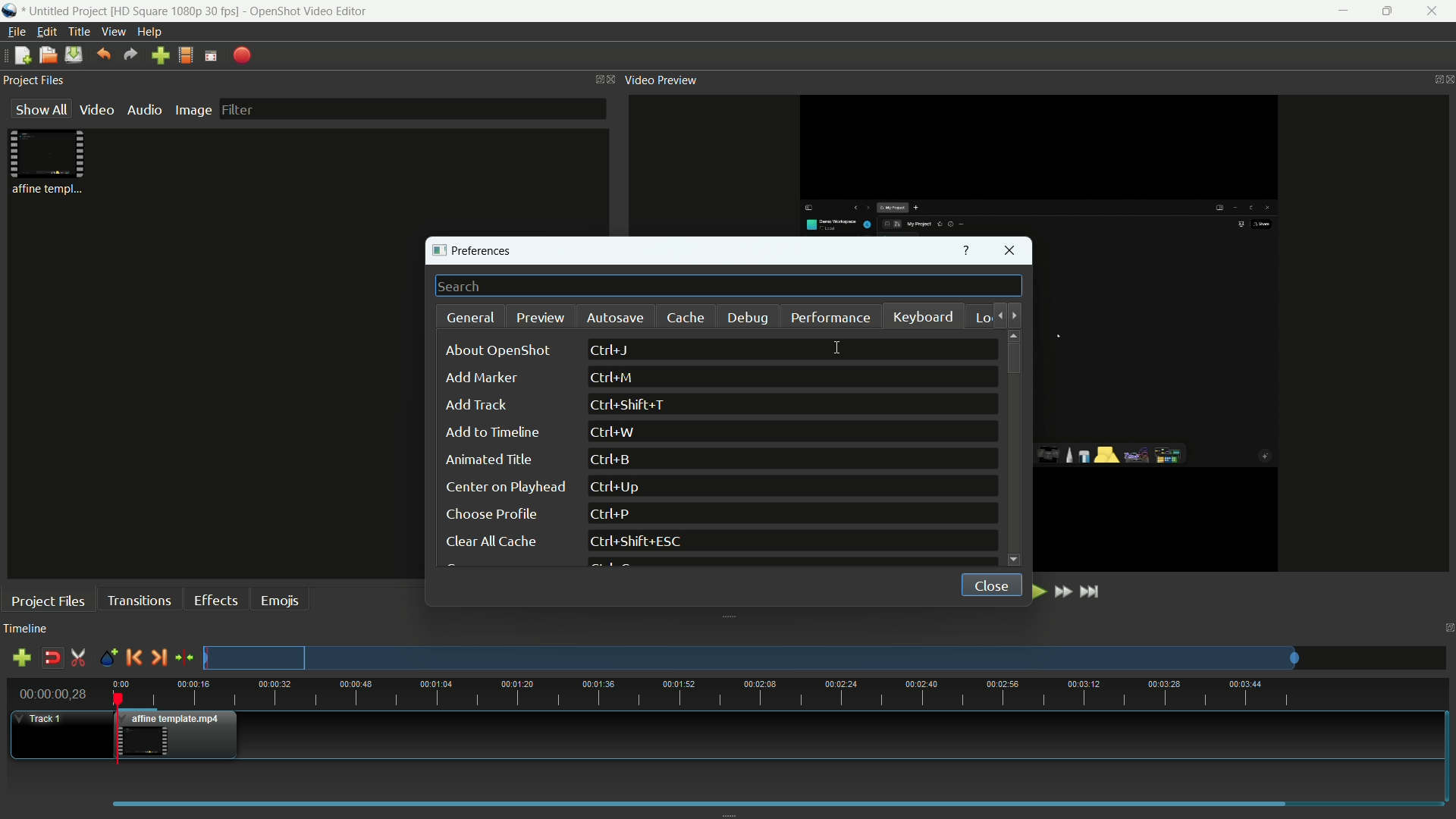 Image resolution: width=1456 pixels, height=819 pixels. What do you see at coordinates (186, 55) in the screenshot?
I see `profile` at bounding box center [186, 55].